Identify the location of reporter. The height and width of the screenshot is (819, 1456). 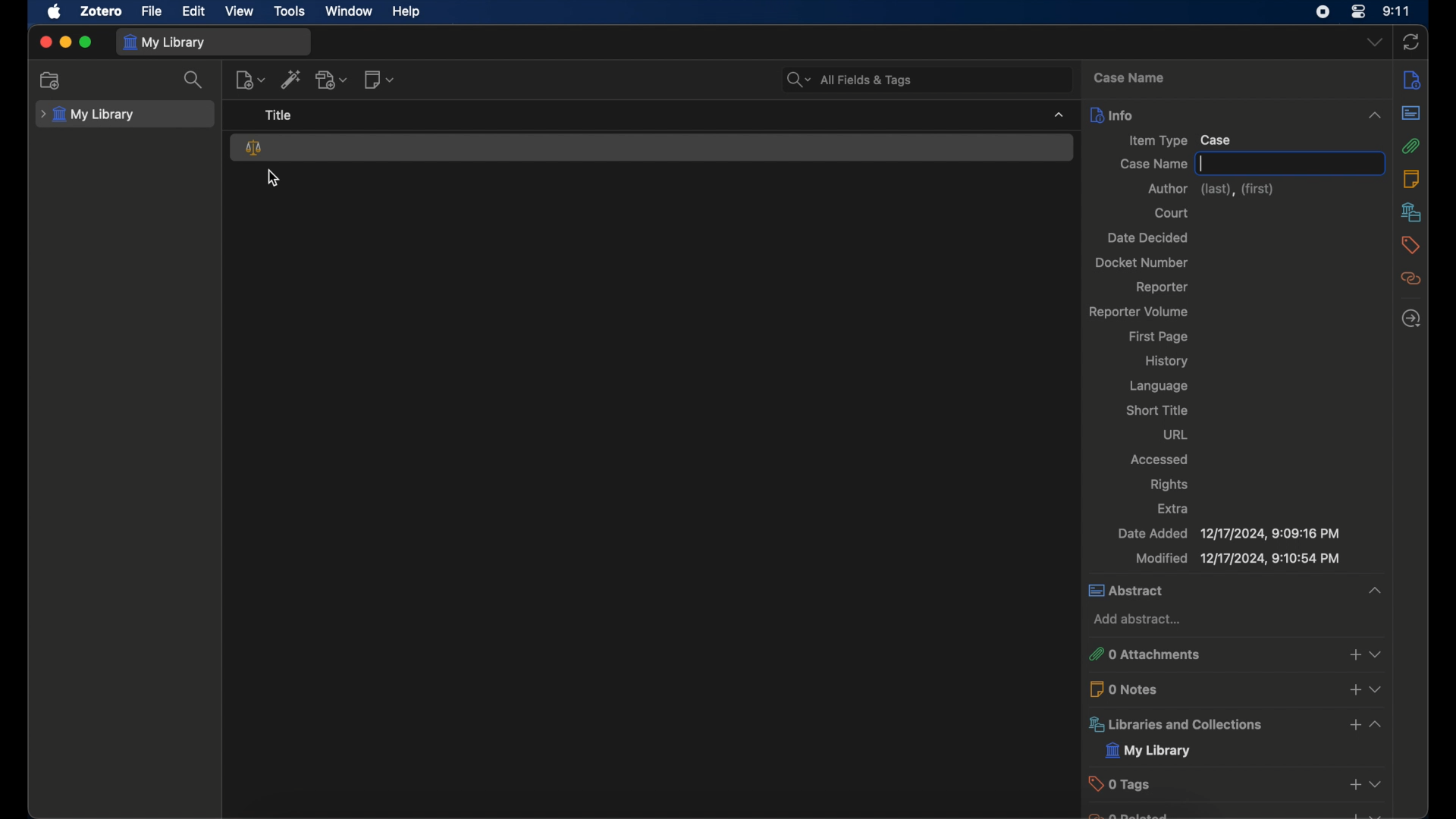
(1160, 287).